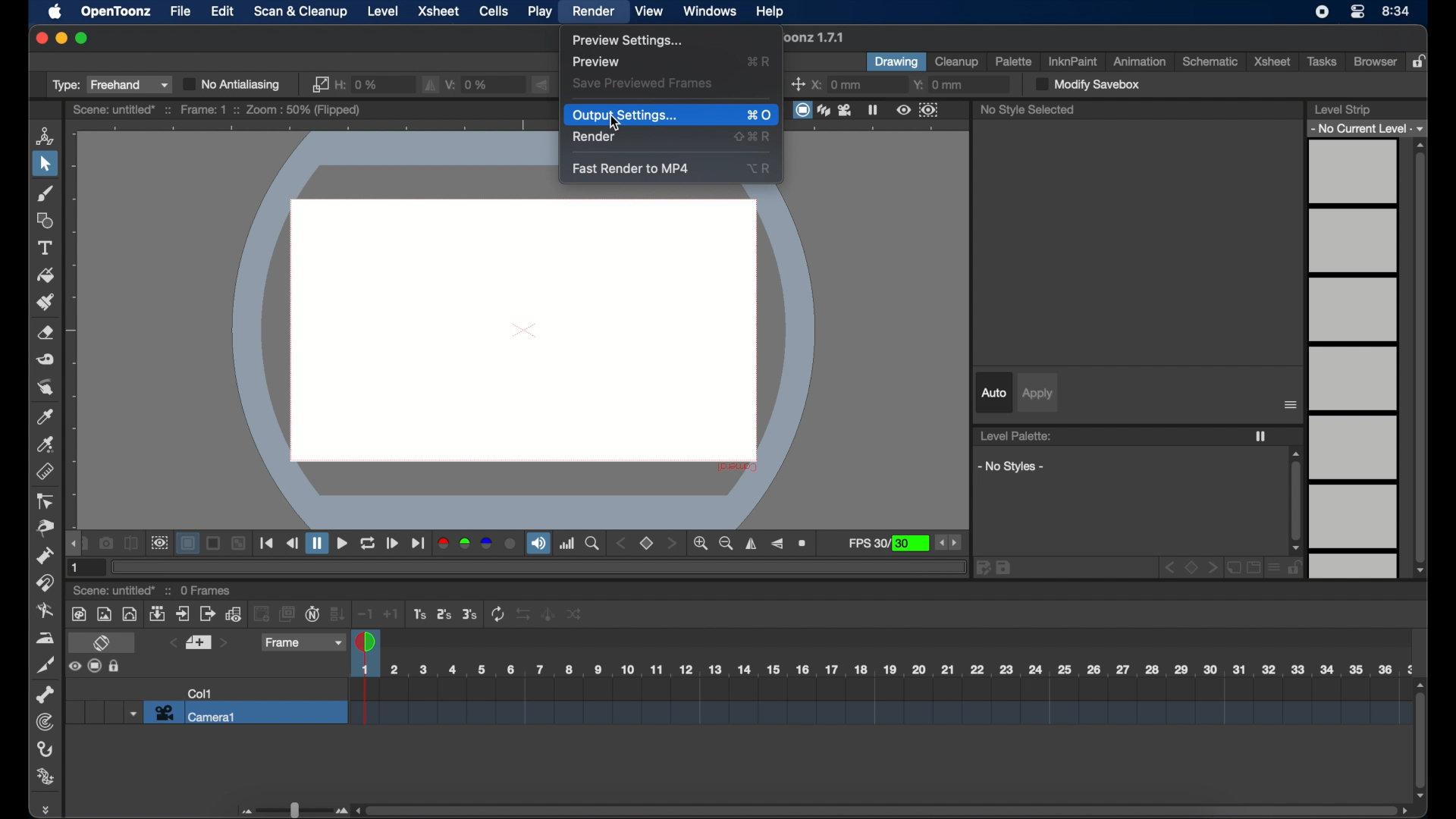  Describe the element at coordinates (777, 544) in the screenshot. I see `flip vertically` at that location.